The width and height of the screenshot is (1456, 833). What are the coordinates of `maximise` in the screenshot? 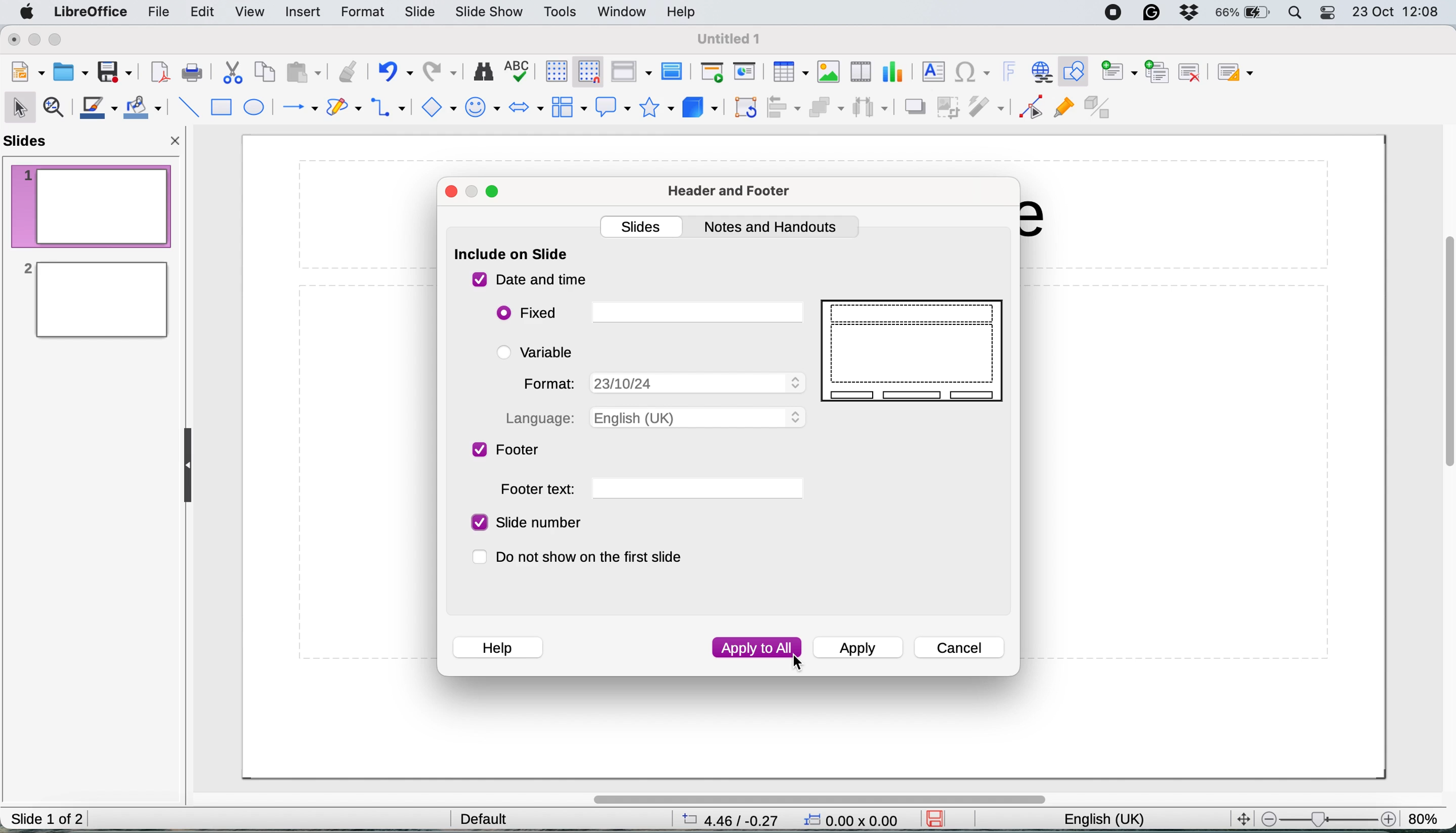 It's located at (494, 193).